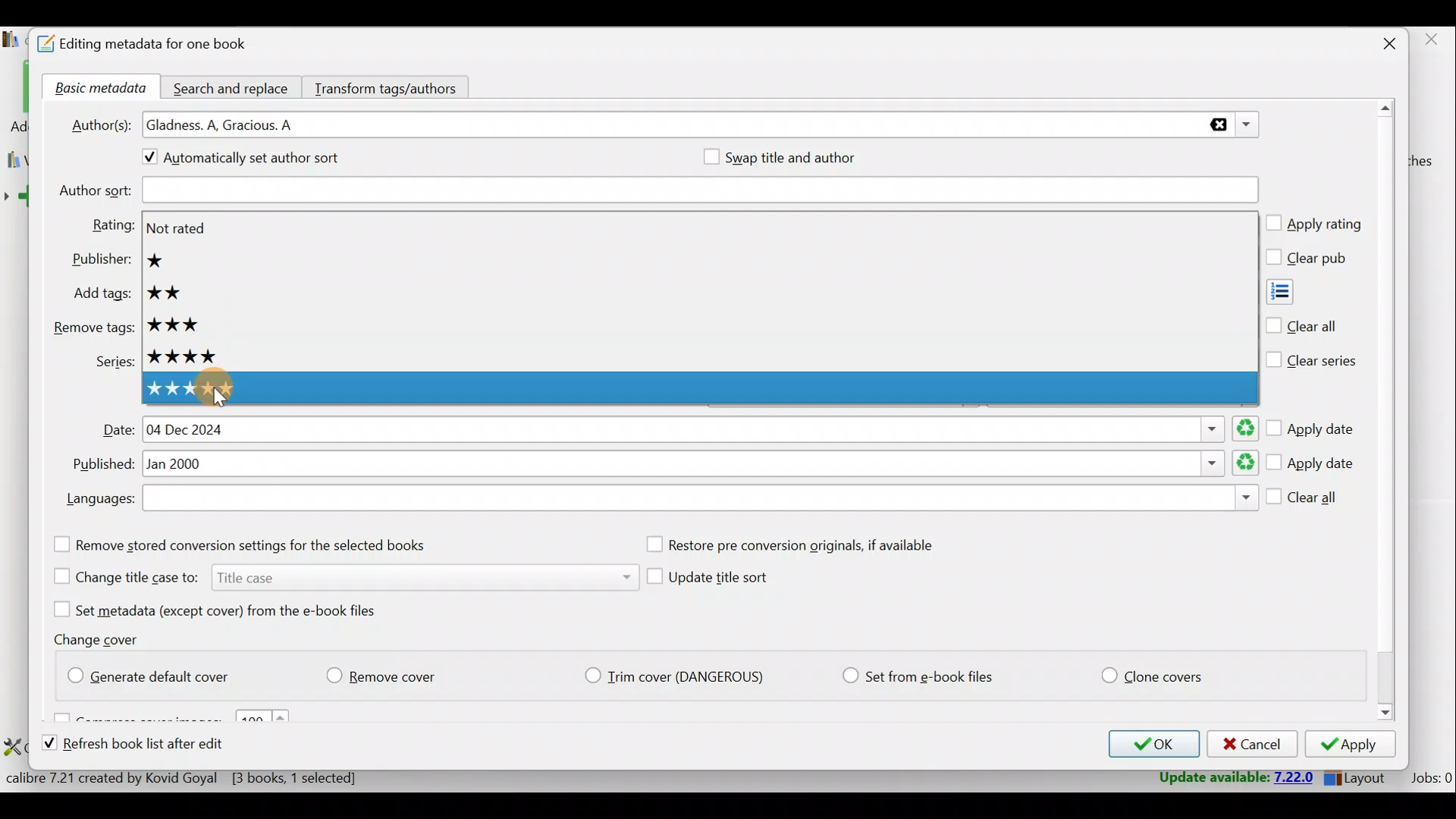 Image resolution: width=1456 pixels, height=819 pixels. What do you see at coordinates (1302, 323) in the screenshot?
I see `Clear all` at bounding box center [1302, 323].